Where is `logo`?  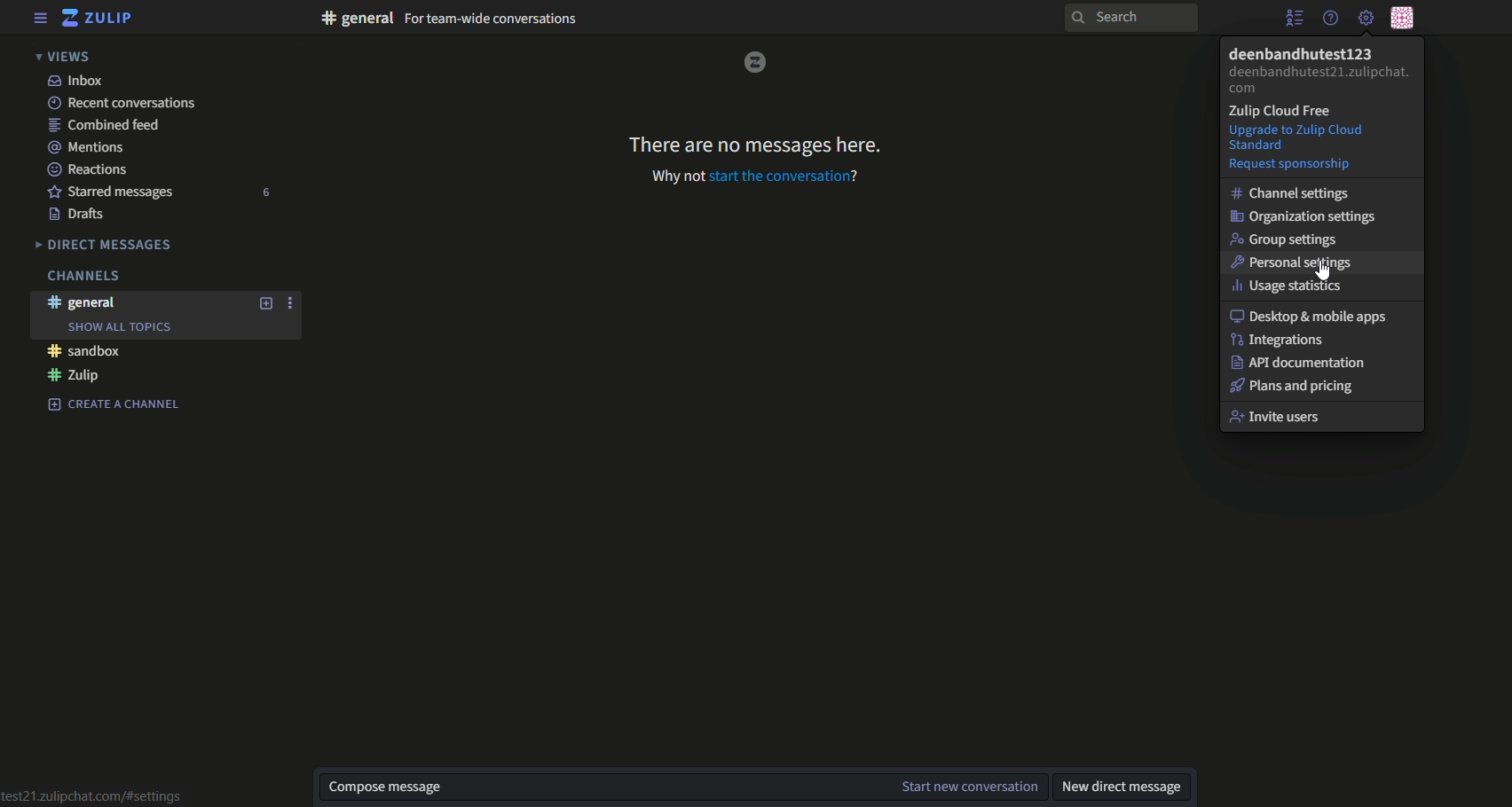
logo is located at coordinates (754, 62).